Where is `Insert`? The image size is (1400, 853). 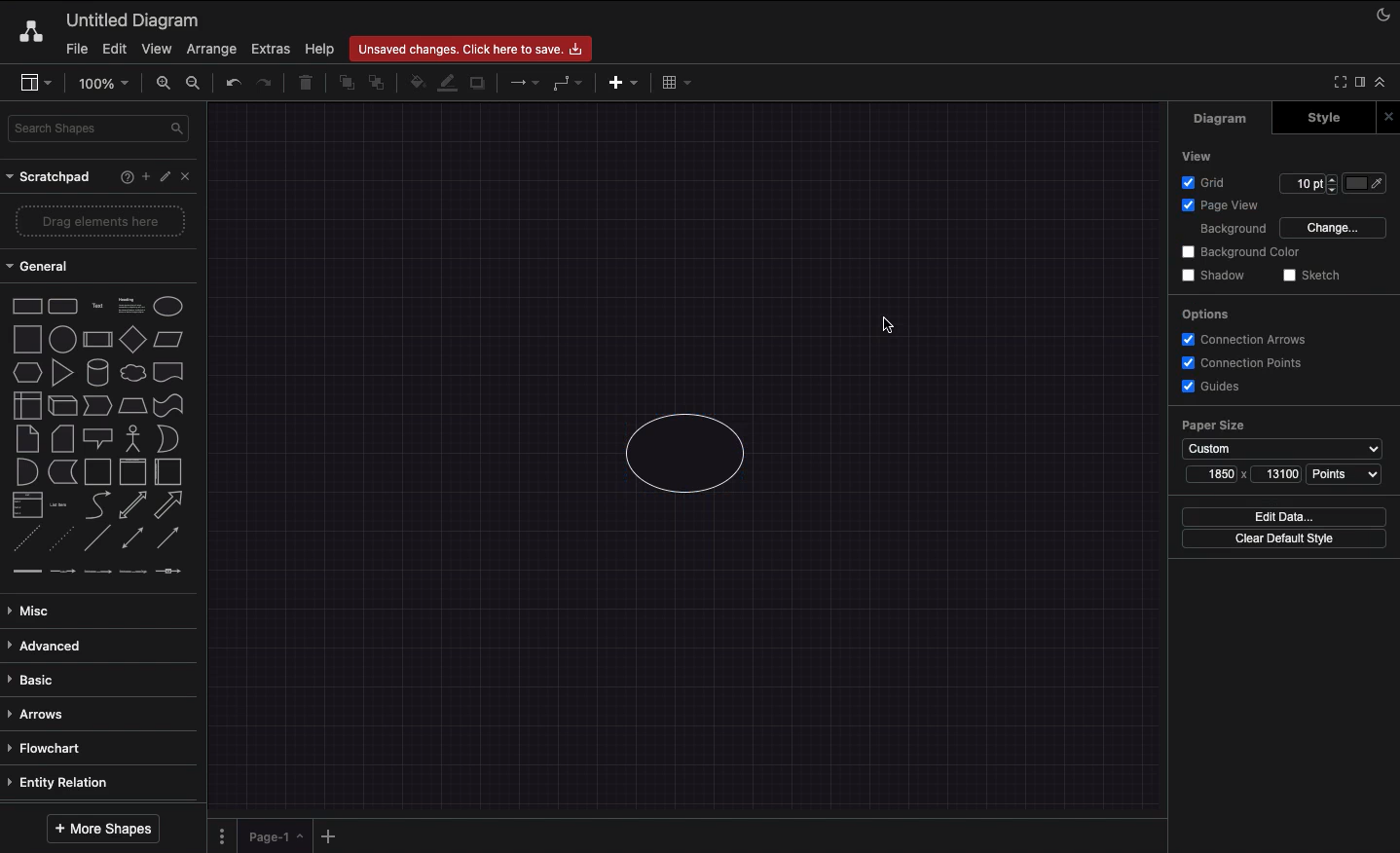 Insert is located at coordinates (618, 81).